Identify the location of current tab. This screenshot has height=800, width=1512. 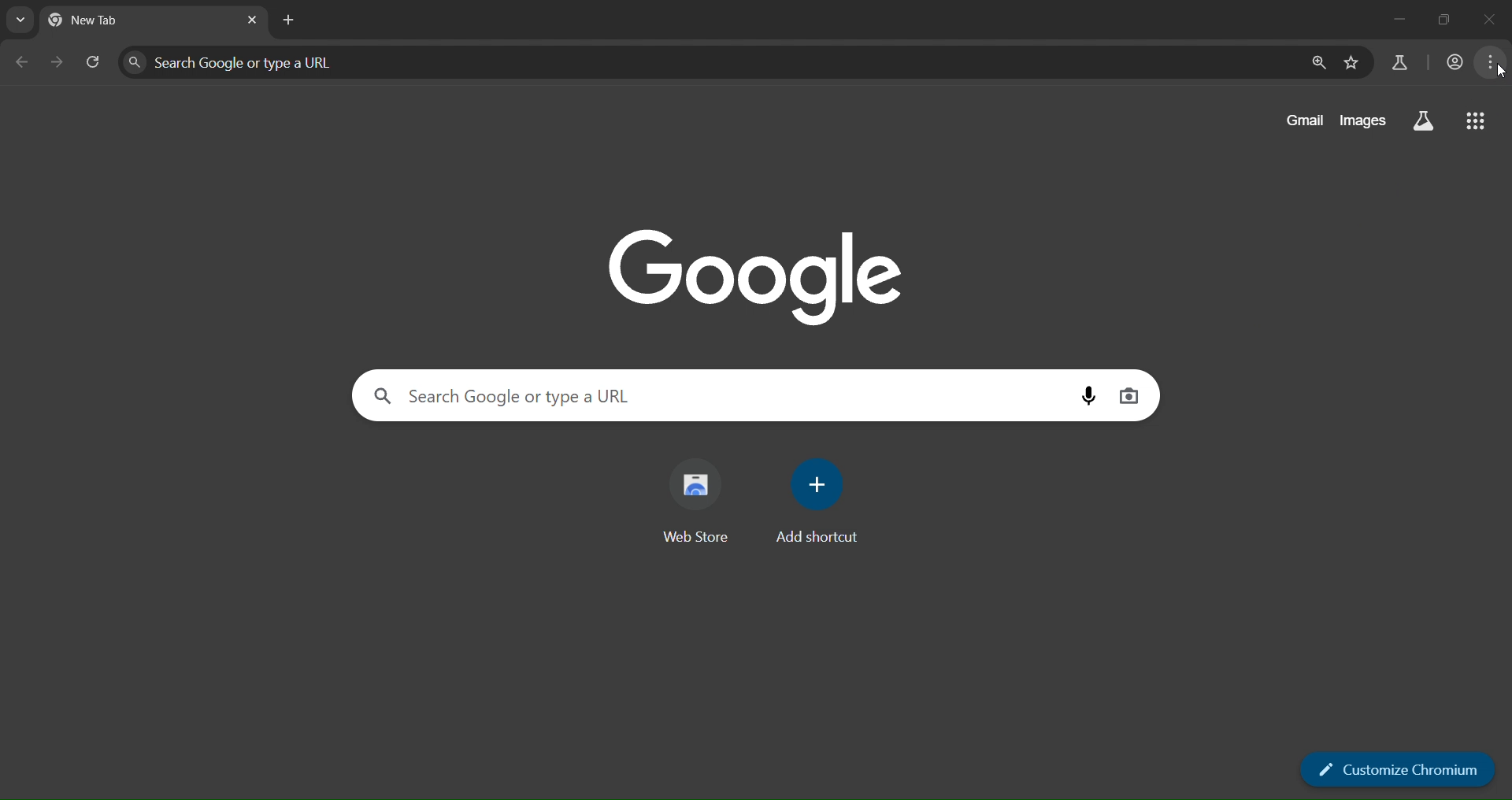
(98, 20).